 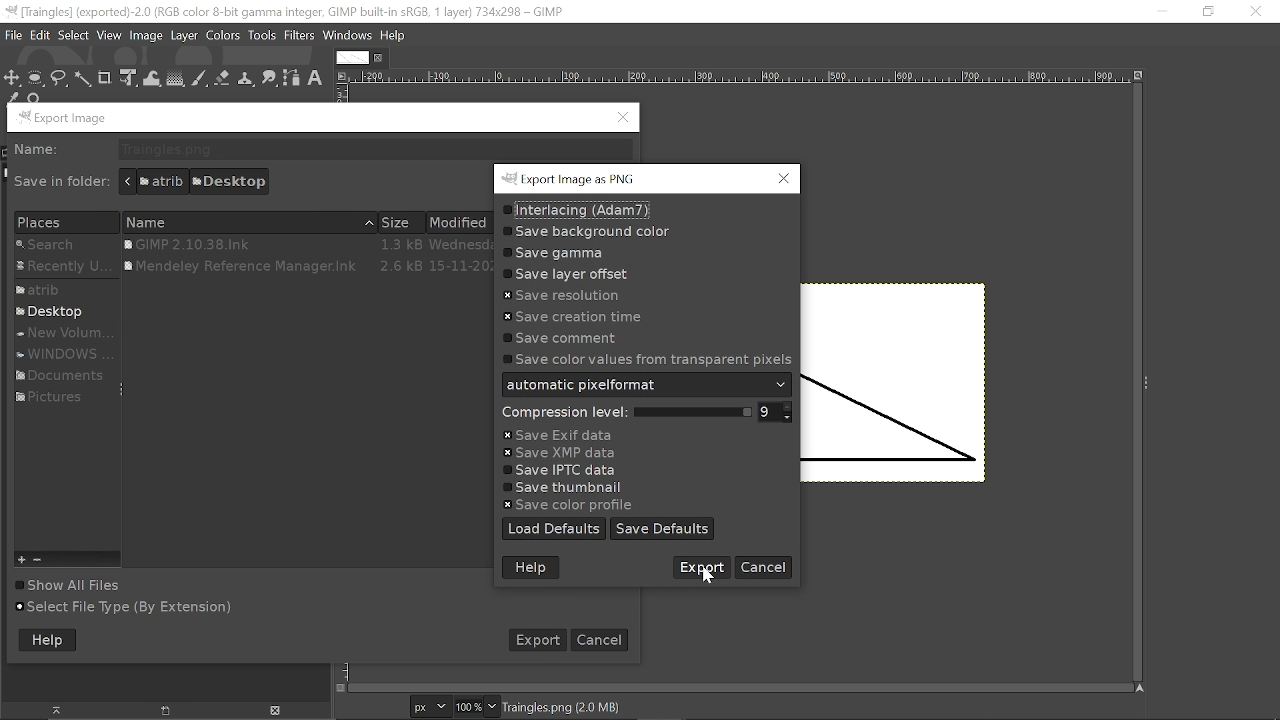 What do you see at coordinates (699, 566) in the screenshot?
I see `Cancel` at bounding box center [699, 566].